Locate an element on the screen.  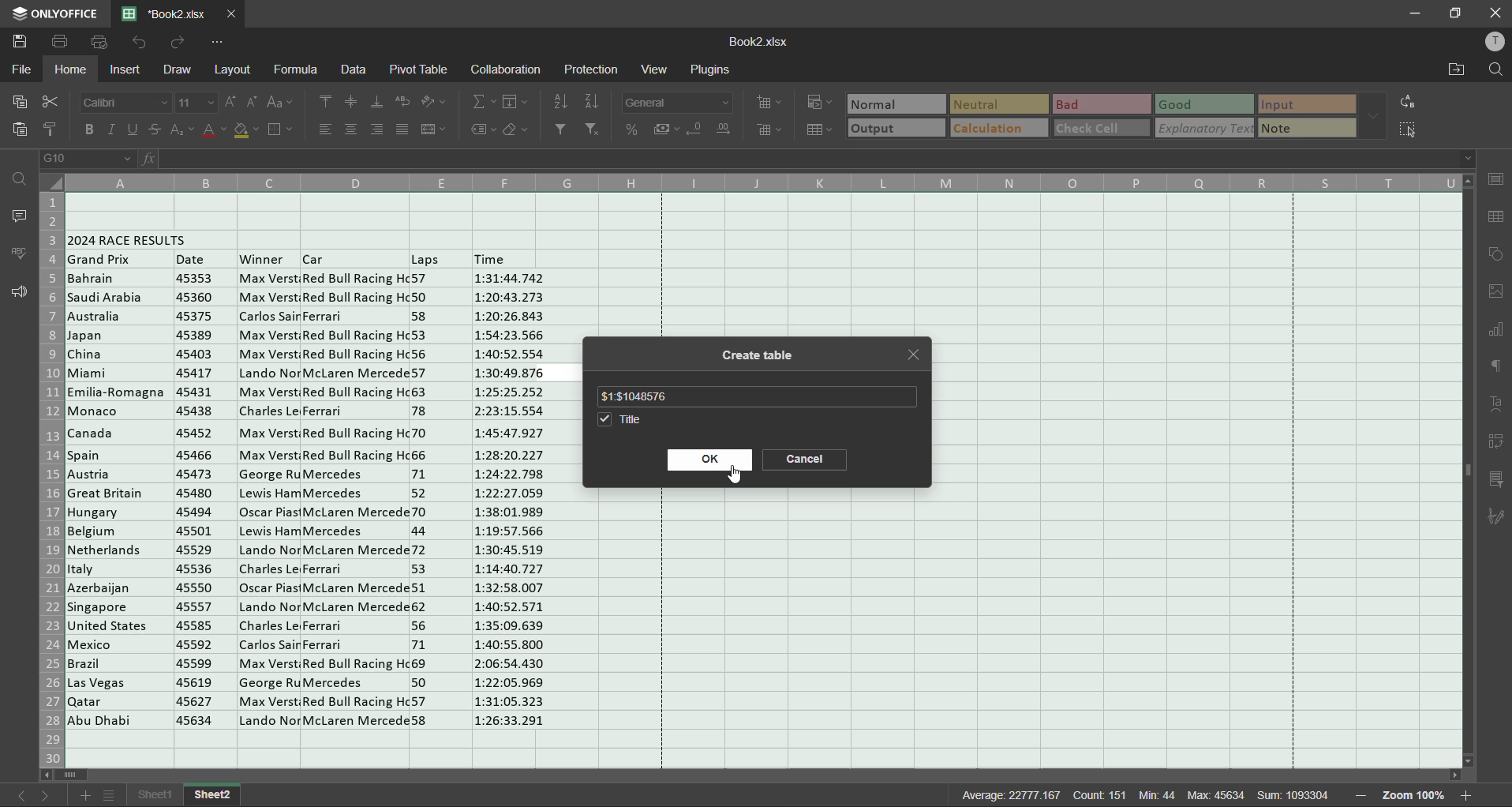
spellcheck is located at coordinates (14, 253).